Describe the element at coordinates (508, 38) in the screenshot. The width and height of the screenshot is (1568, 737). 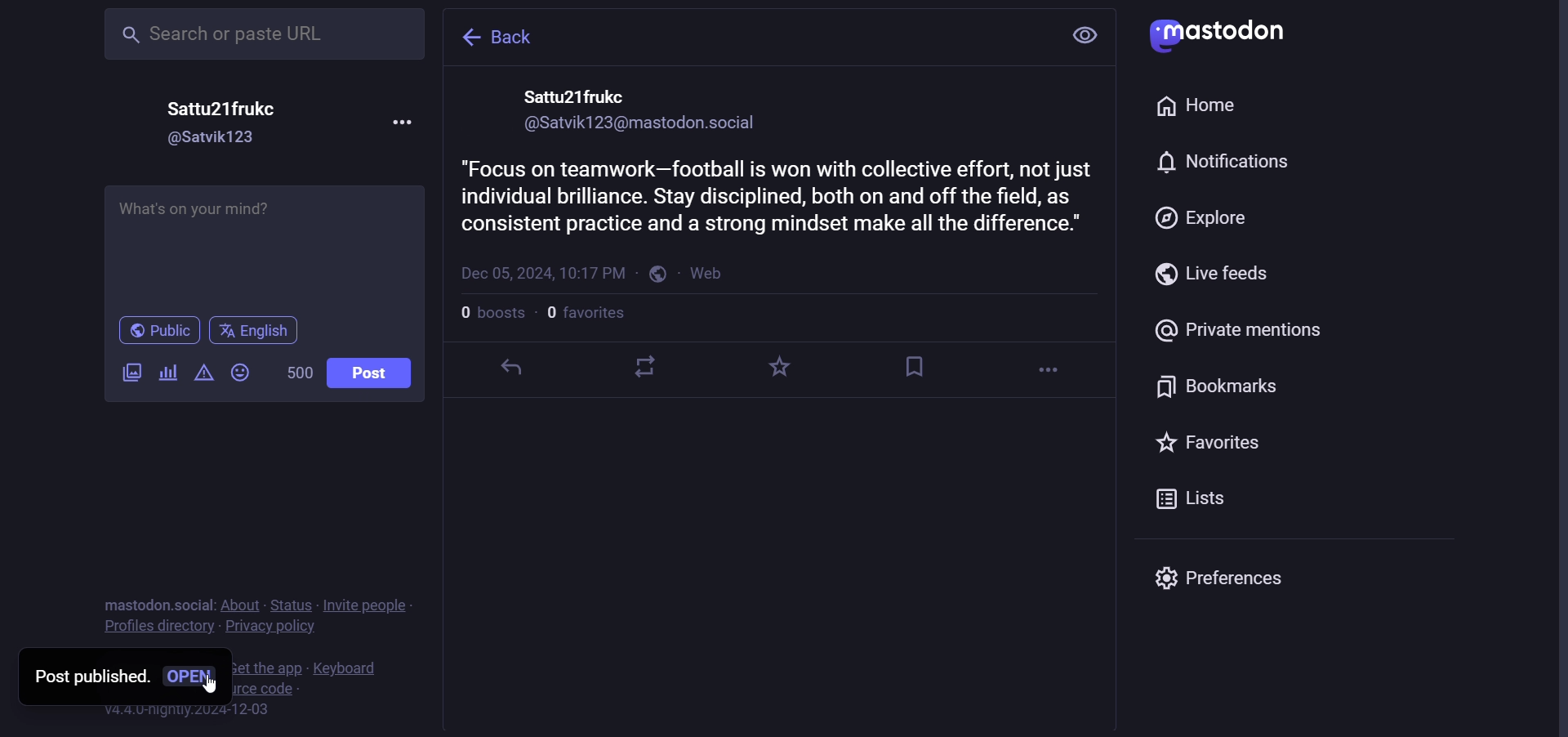
I see `back` at that location.